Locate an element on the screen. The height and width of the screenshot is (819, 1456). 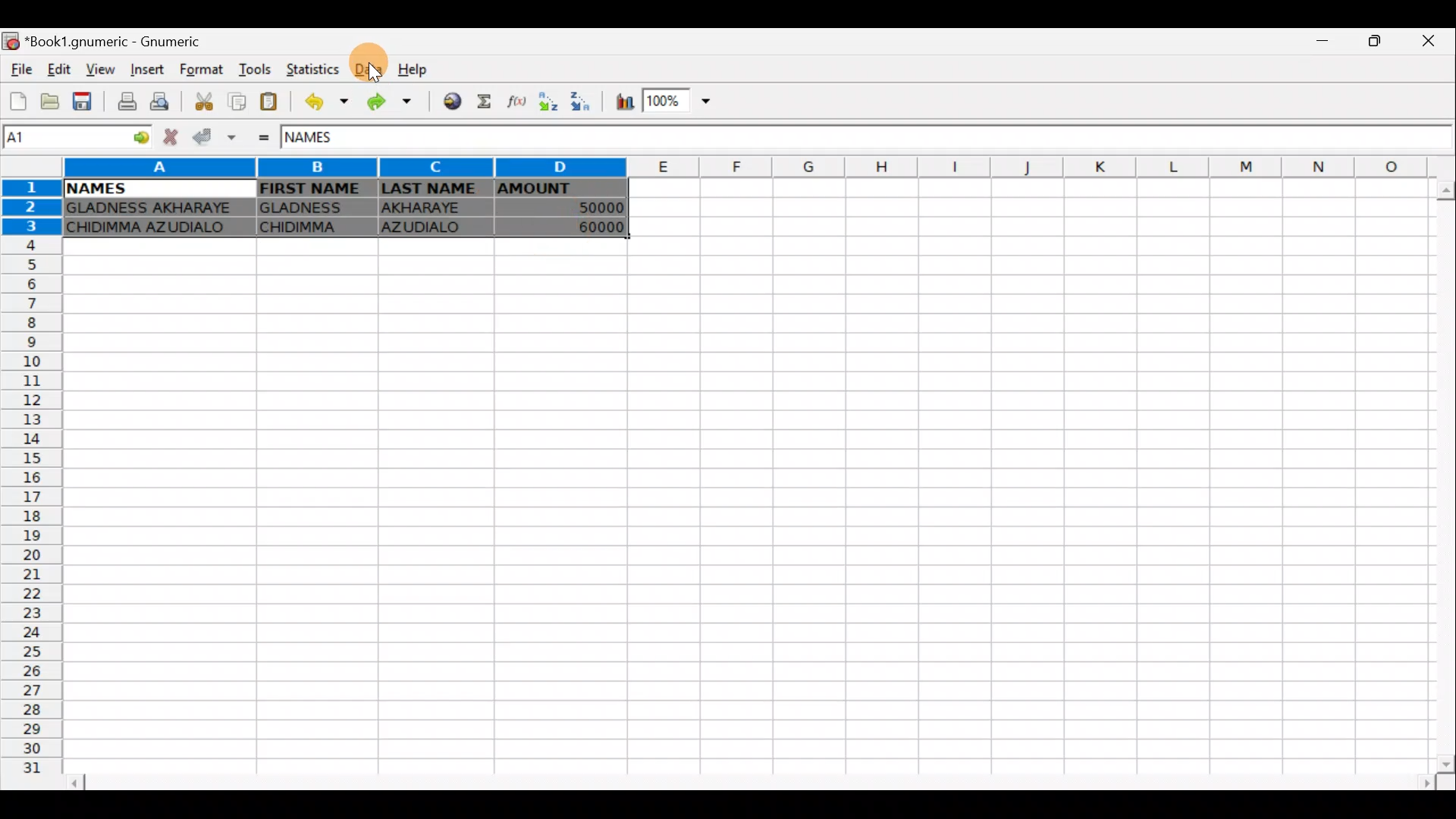
Enter formula is located at coordinates (265, 140).